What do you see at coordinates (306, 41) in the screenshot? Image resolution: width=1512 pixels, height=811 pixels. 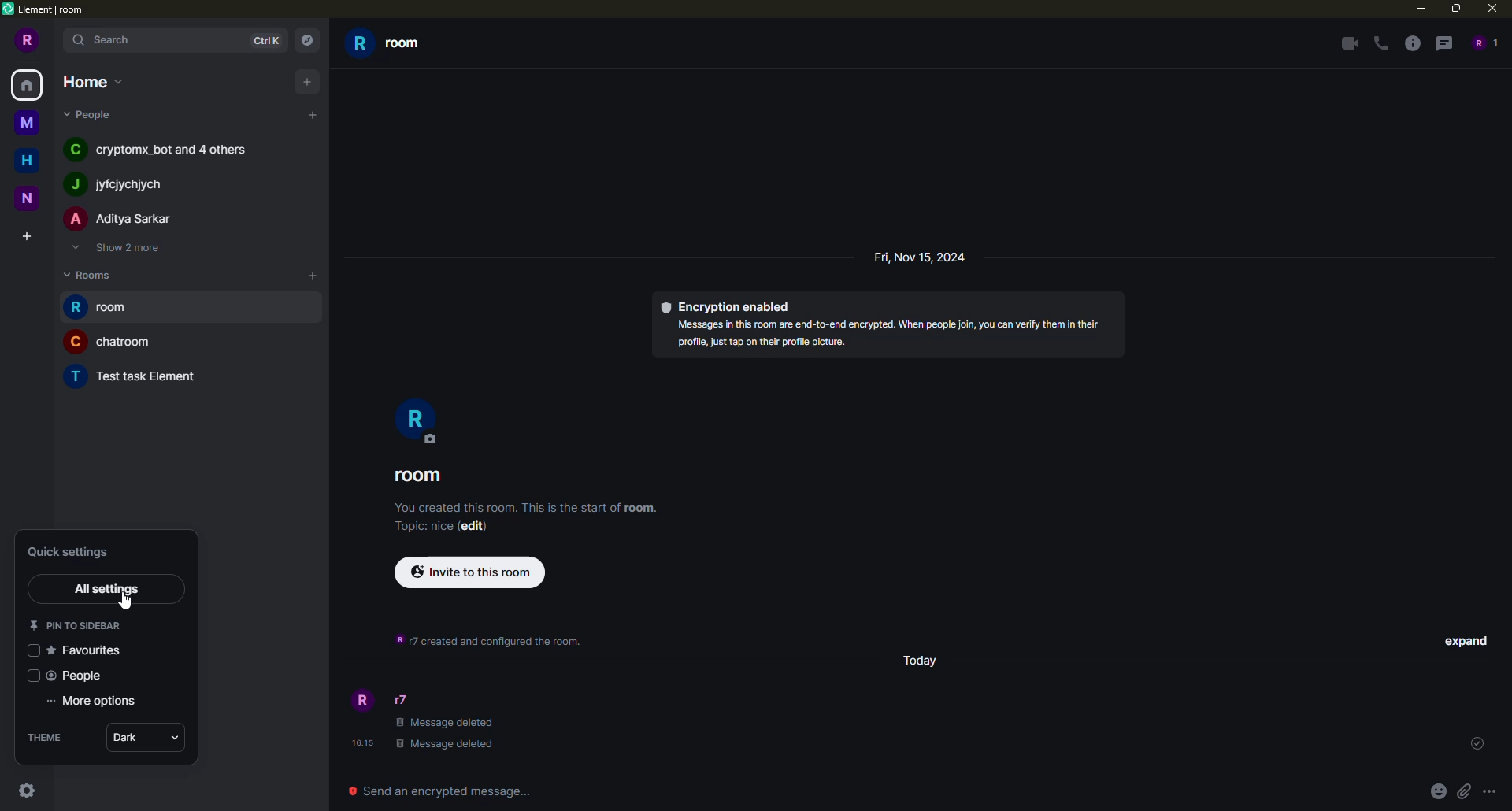 I see `navigator` at bounding box center [306, 41].